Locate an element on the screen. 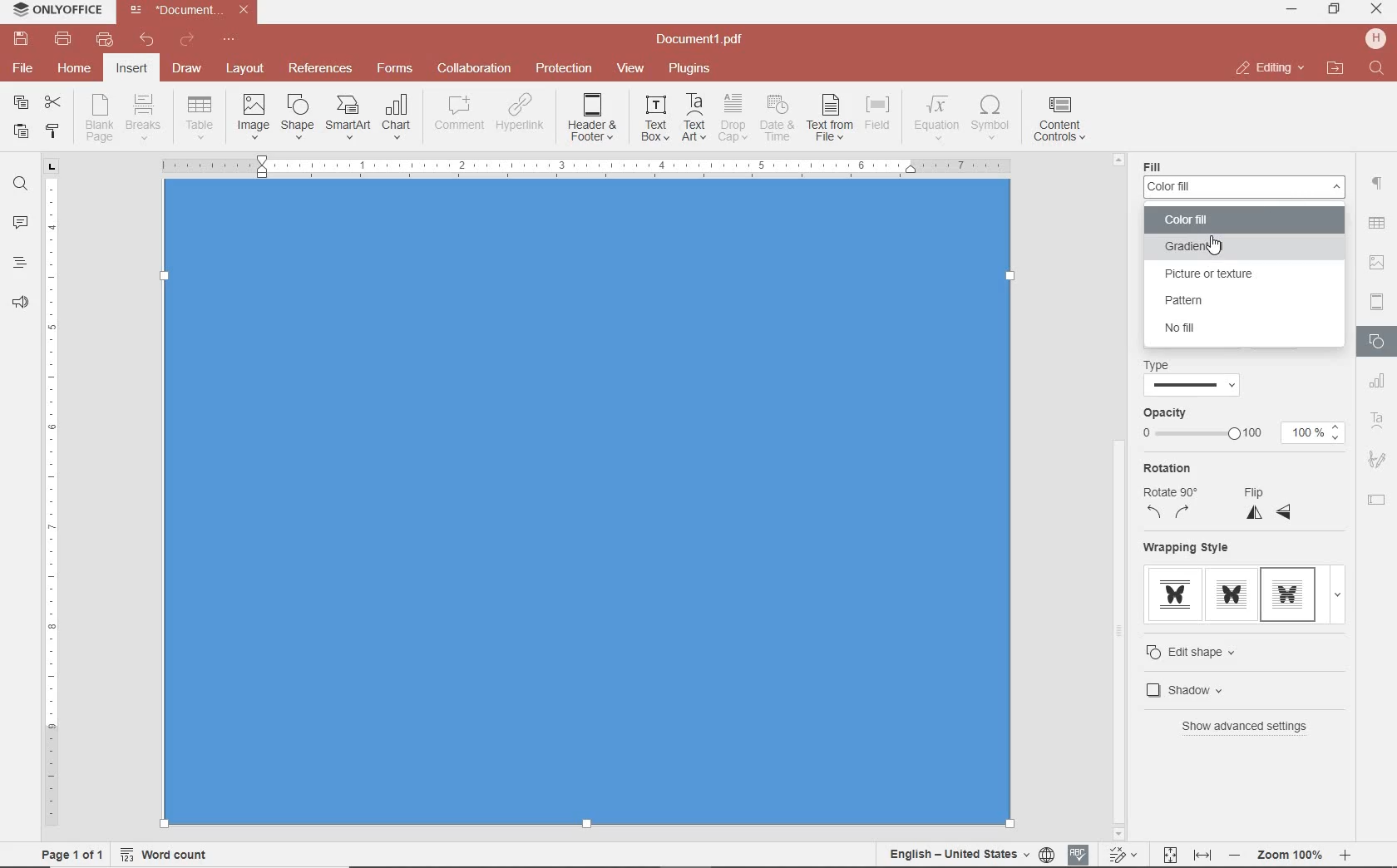 The width and height of the screenshot is (1397, 868). page 1 of 1 is located at coordinates (69, 853).